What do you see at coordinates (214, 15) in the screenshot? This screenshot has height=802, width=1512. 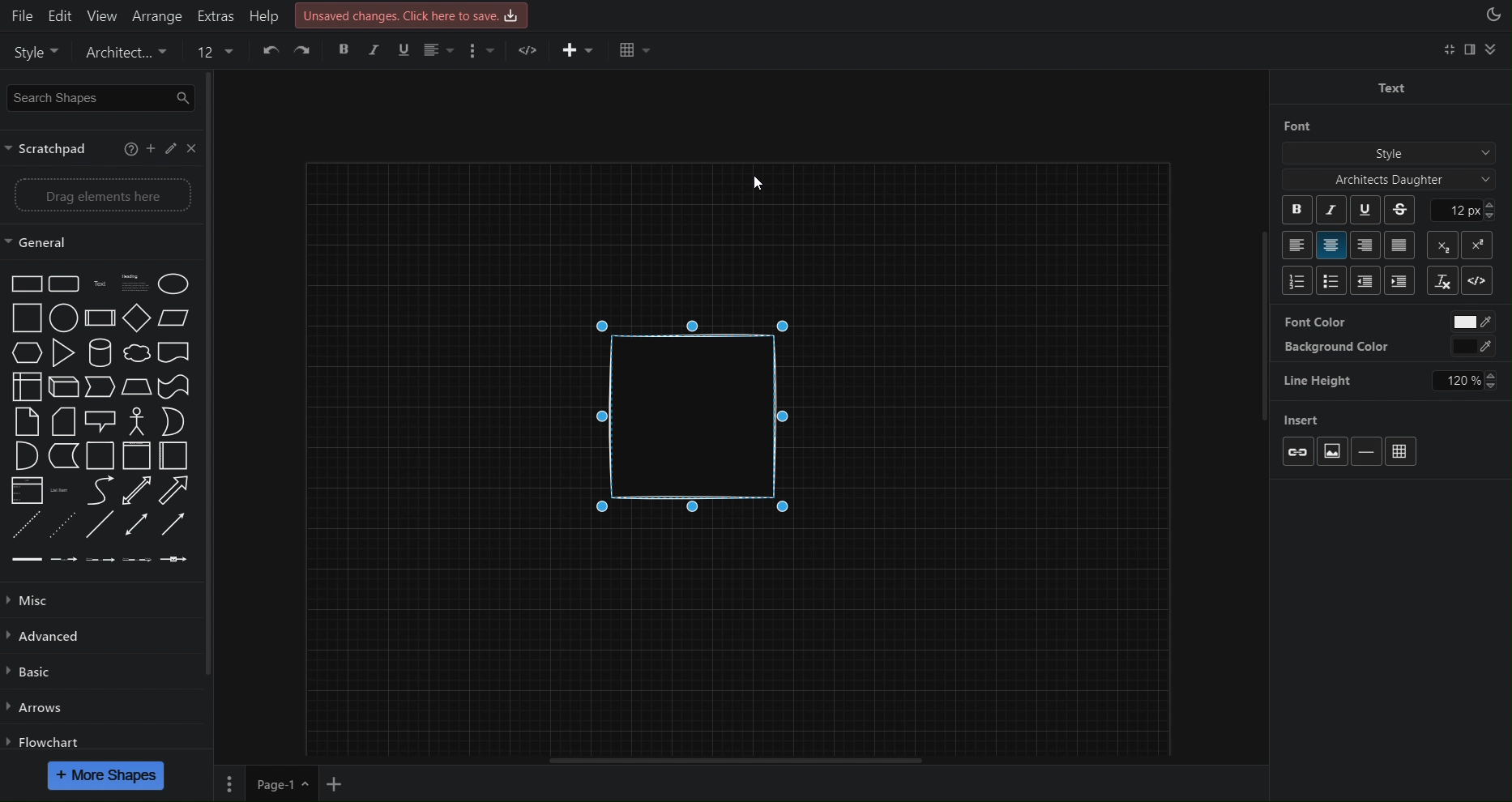 I see `Extras` at bounding box center [214, 15].